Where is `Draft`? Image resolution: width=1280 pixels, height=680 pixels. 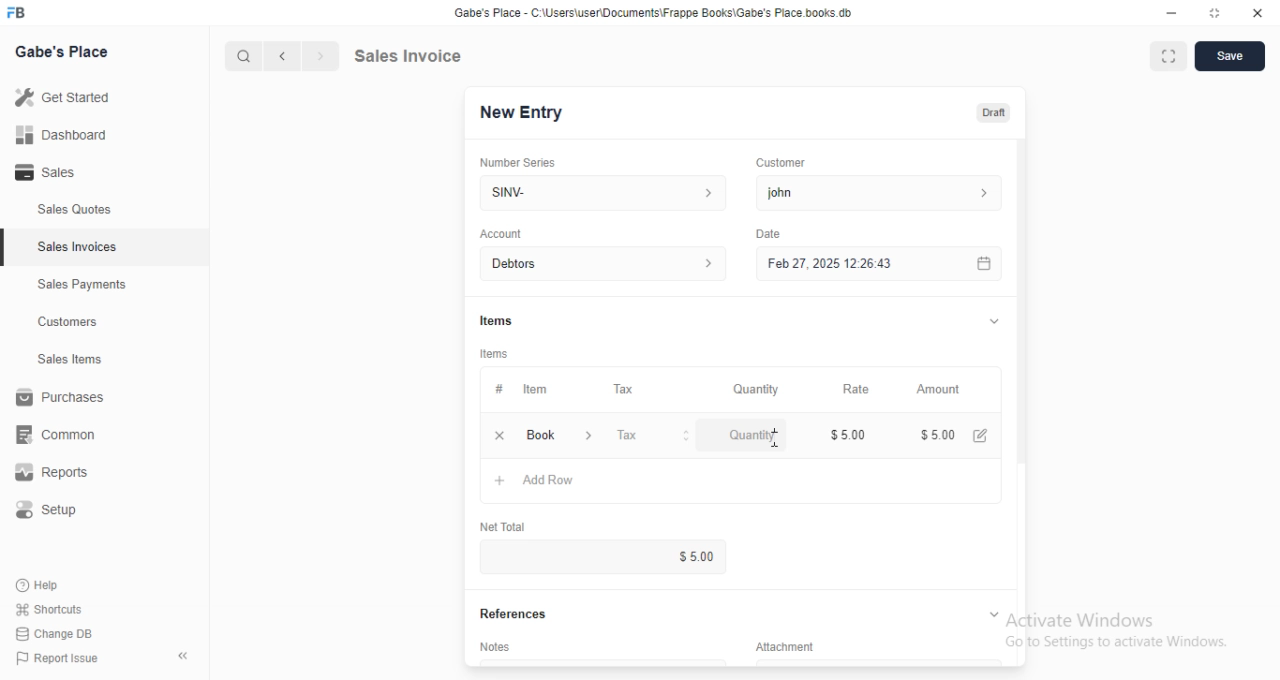 Draft is located at coordinates (995, 113).